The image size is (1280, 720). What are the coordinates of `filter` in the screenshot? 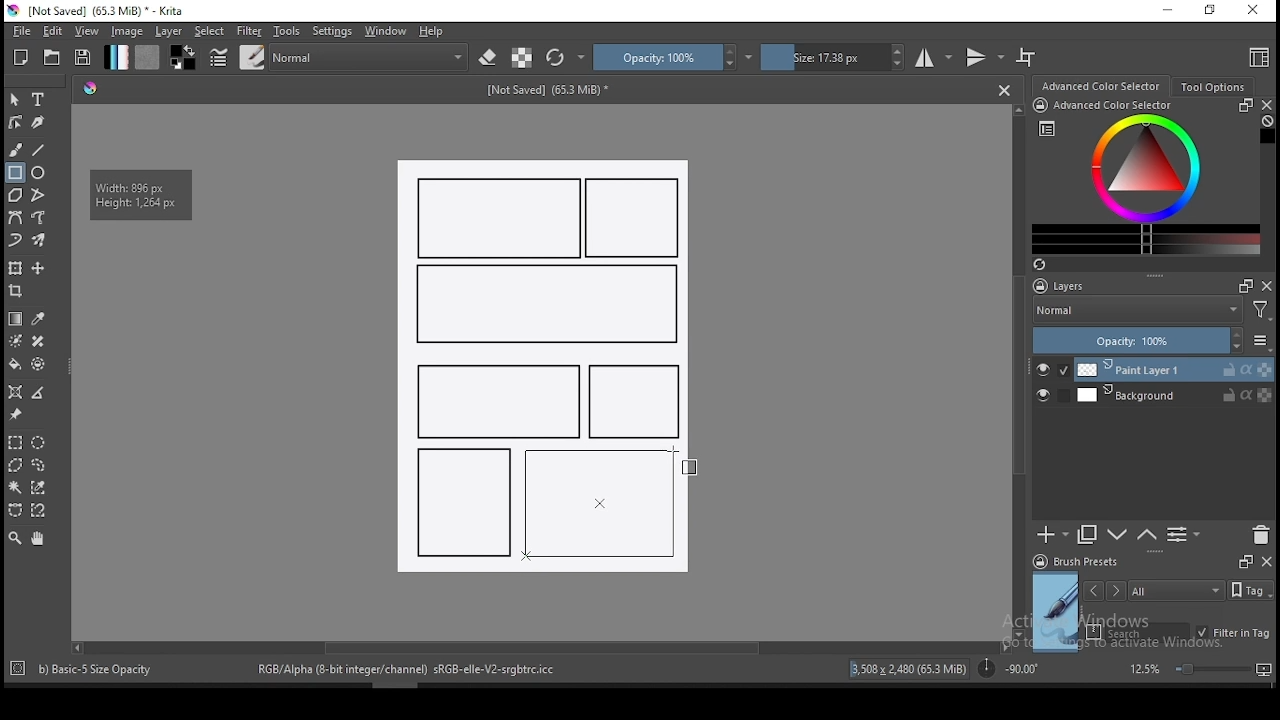 It's located at (248, 31).